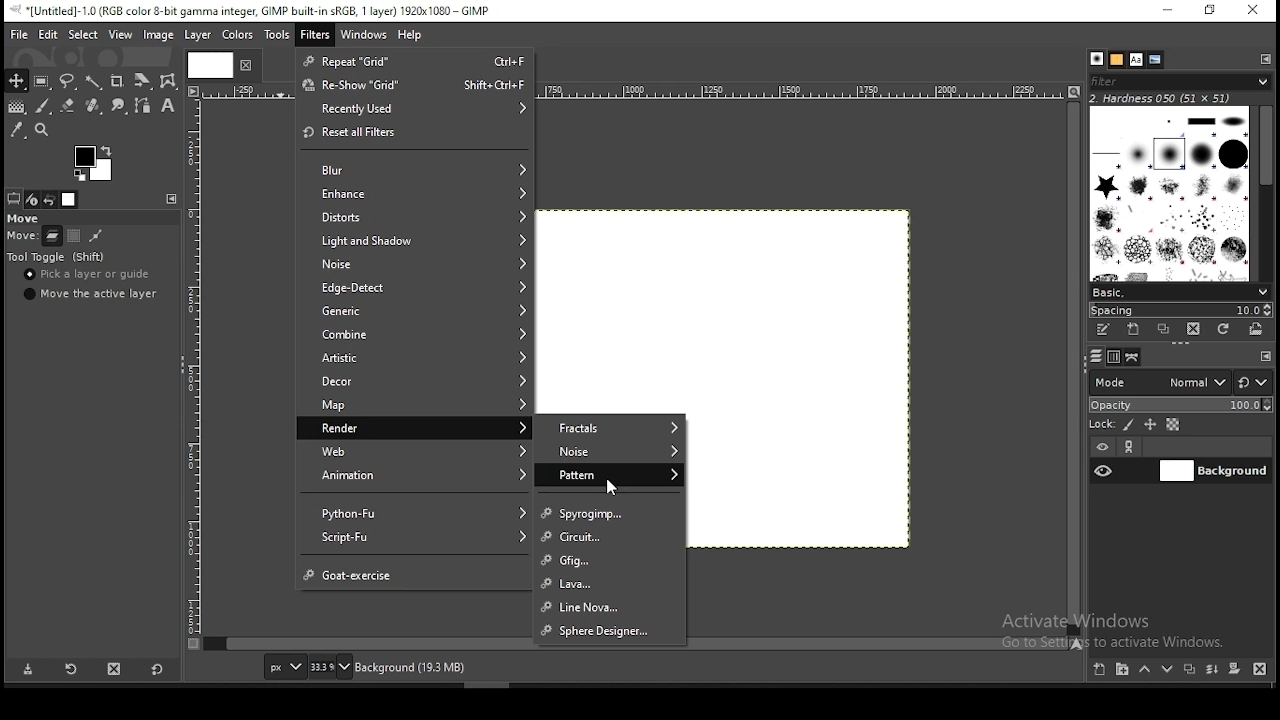  Describe the element at coordinates (612, 486) in the screenshot. I see `mouse pointer` at that location.